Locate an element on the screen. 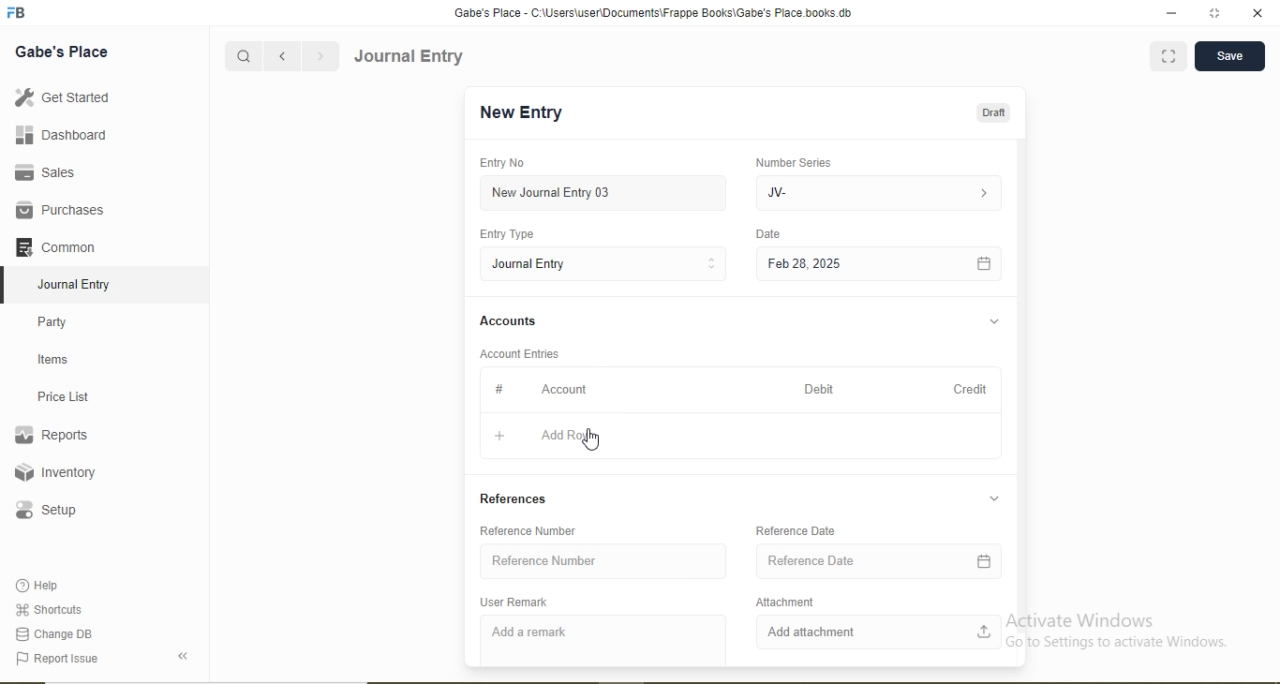 The height and width of the screenshot is (684, 1280). Setup is located at coordinates (45, 510).